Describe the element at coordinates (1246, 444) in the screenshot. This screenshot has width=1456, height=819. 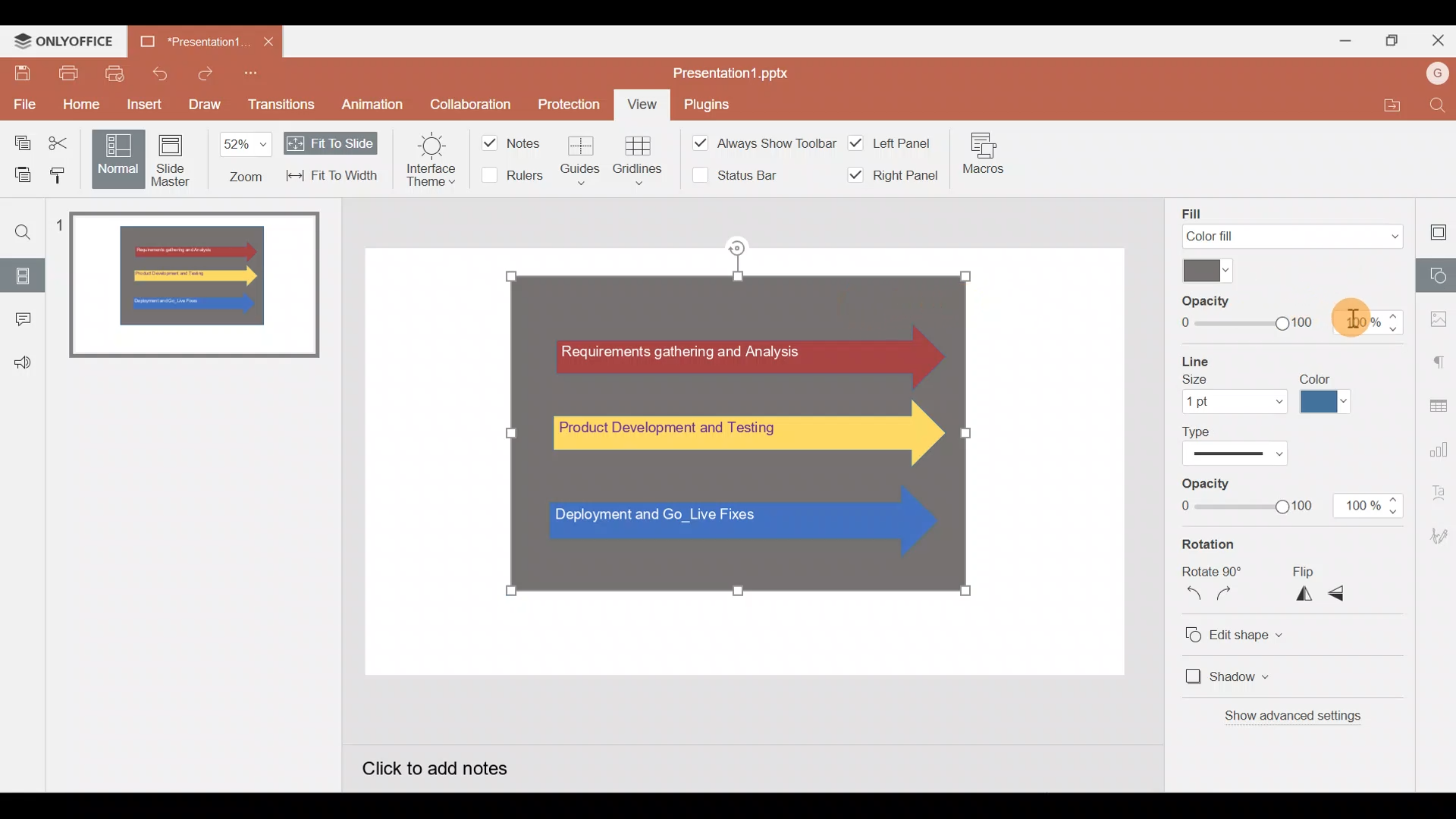
I see `Line type` at that location.